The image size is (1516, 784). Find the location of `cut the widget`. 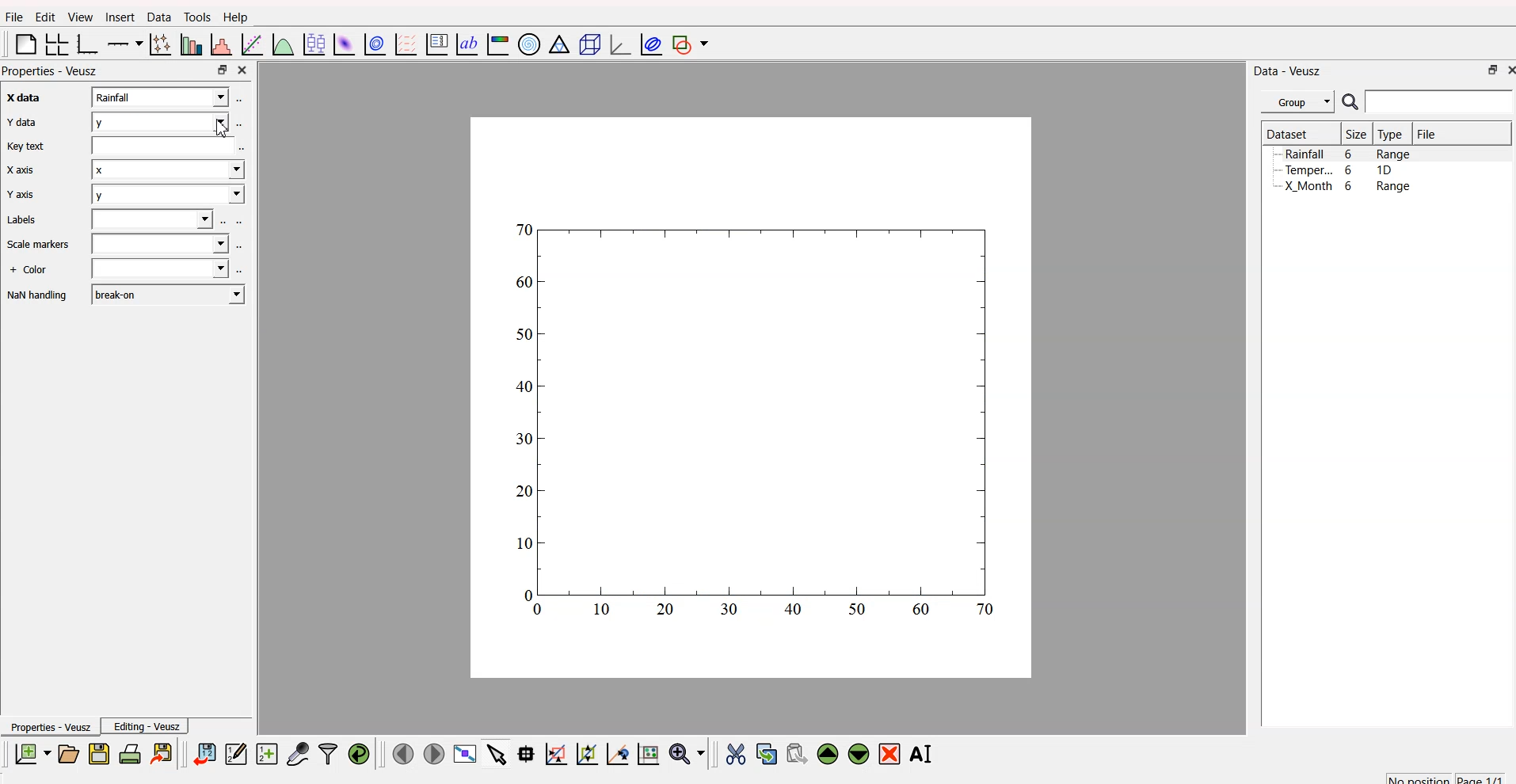

cut the widget is located at coordinates (734, 753).